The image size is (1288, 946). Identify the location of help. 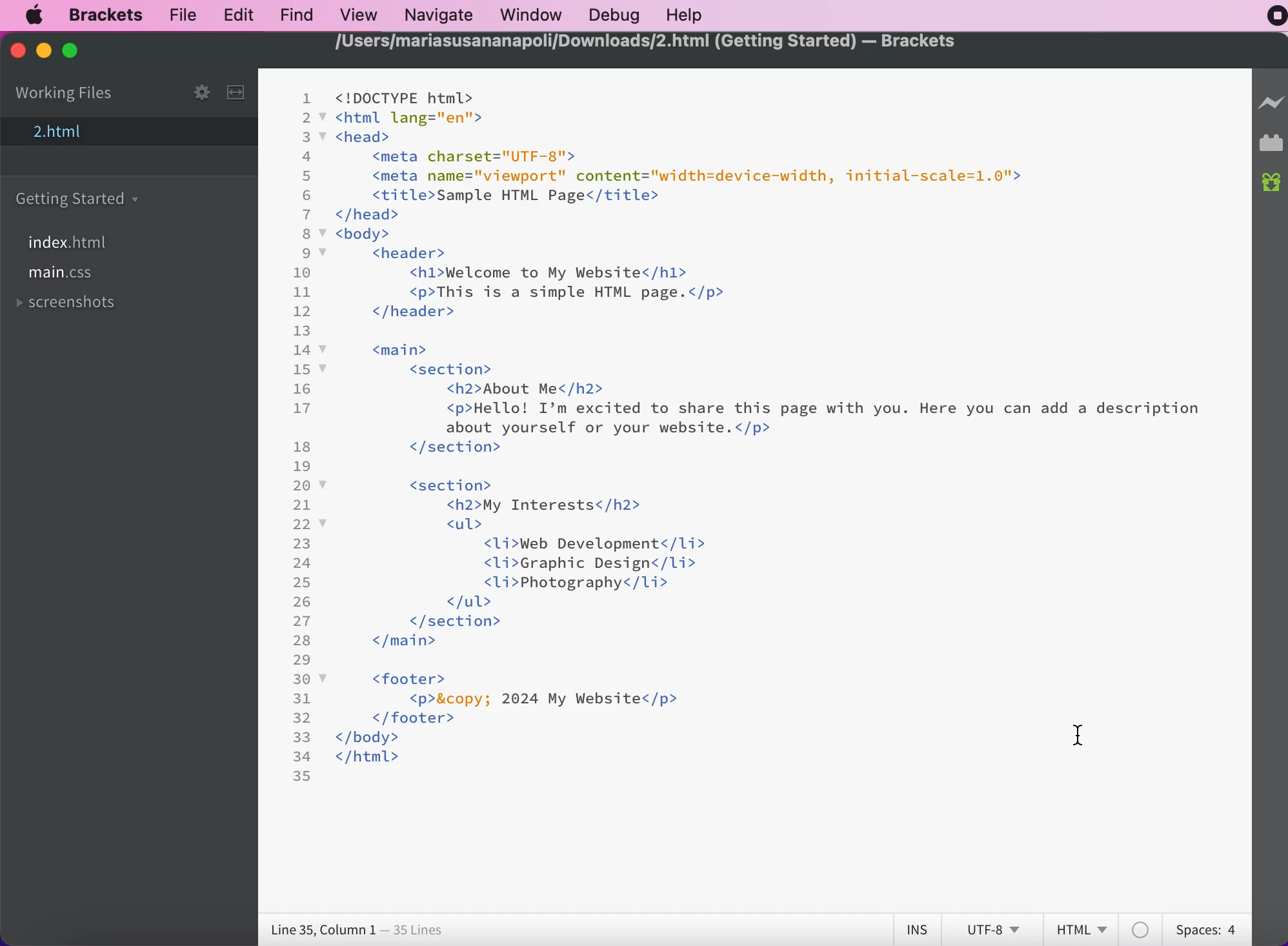
(701, 15).